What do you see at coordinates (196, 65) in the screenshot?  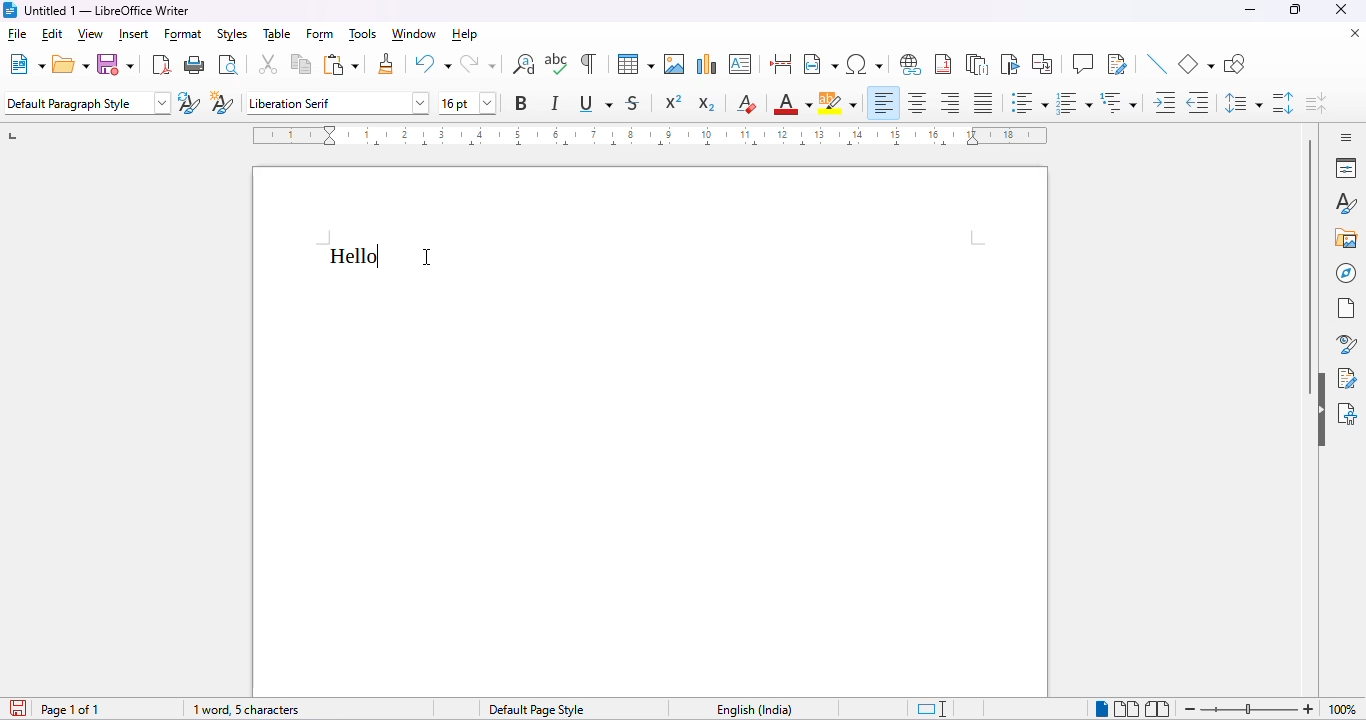 I see `print` at bounding box center [196, 65].